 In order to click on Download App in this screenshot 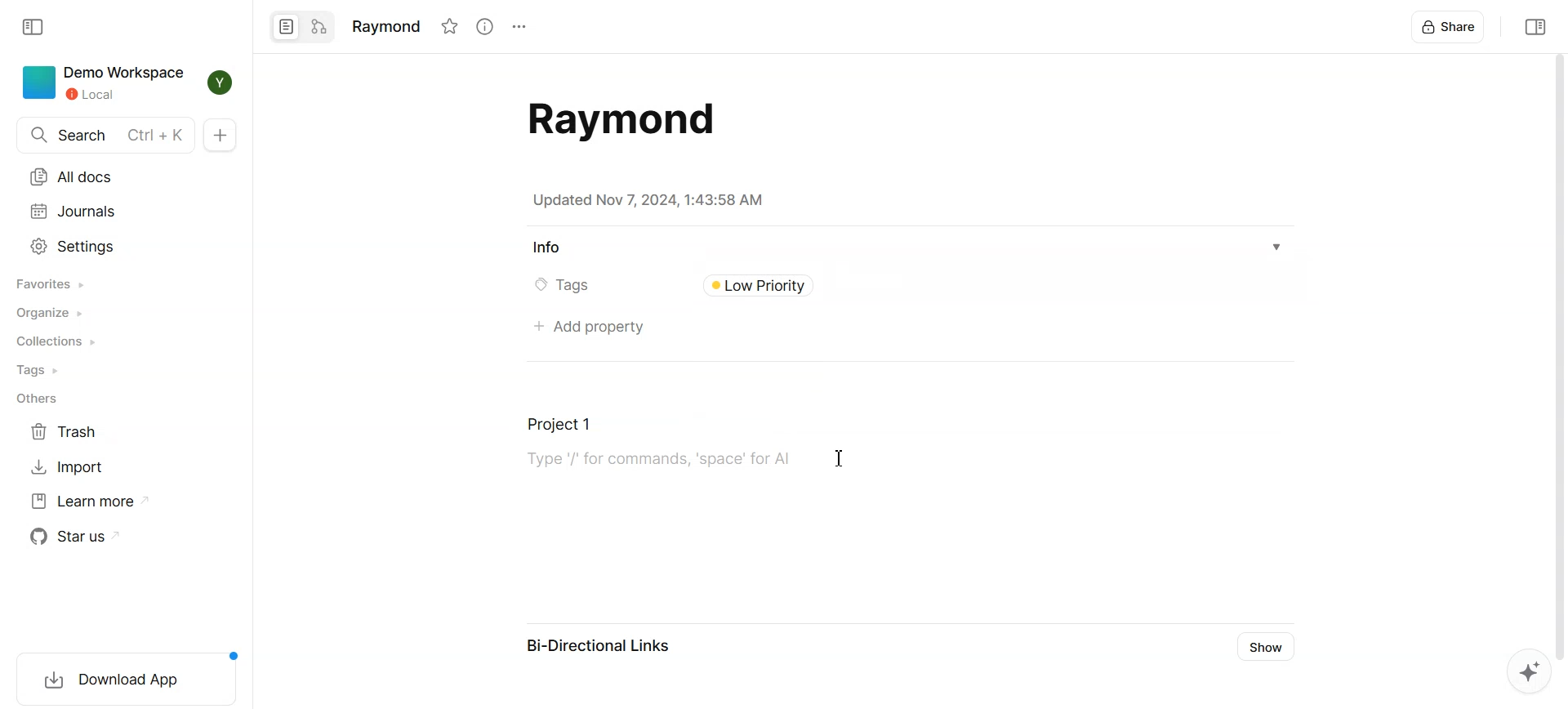, I will do `click(121, 676)`.